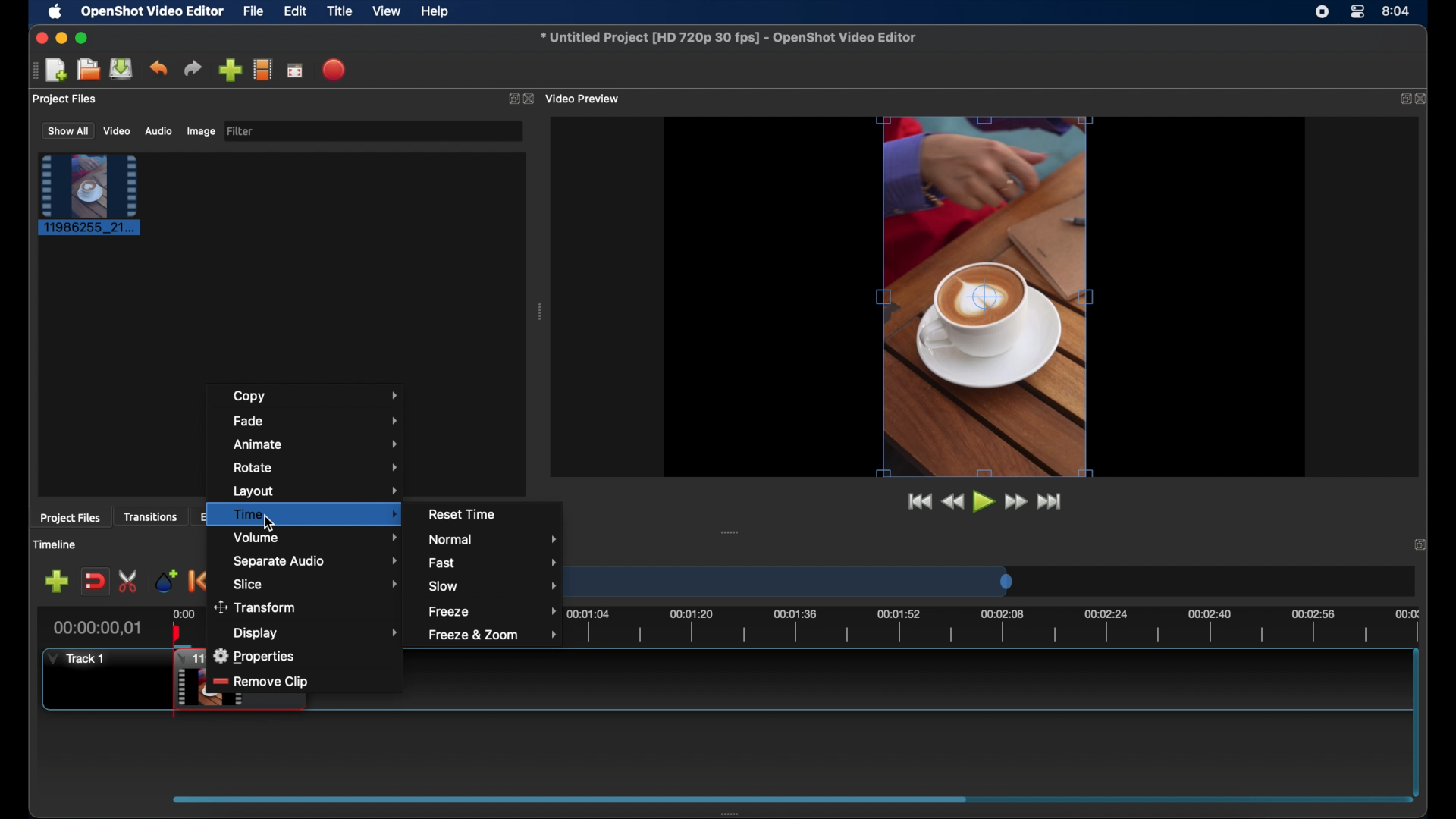  I want to click on play , so click(982, 501).